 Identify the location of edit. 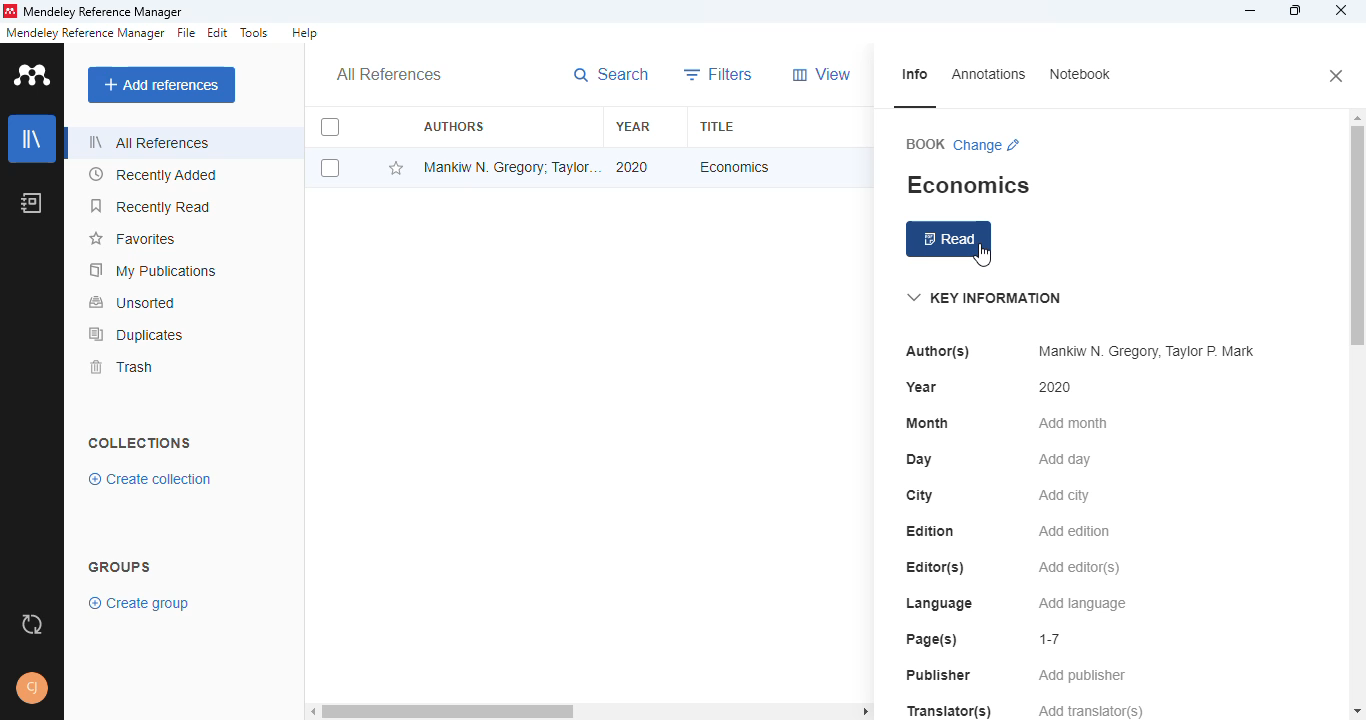
(219, 34).